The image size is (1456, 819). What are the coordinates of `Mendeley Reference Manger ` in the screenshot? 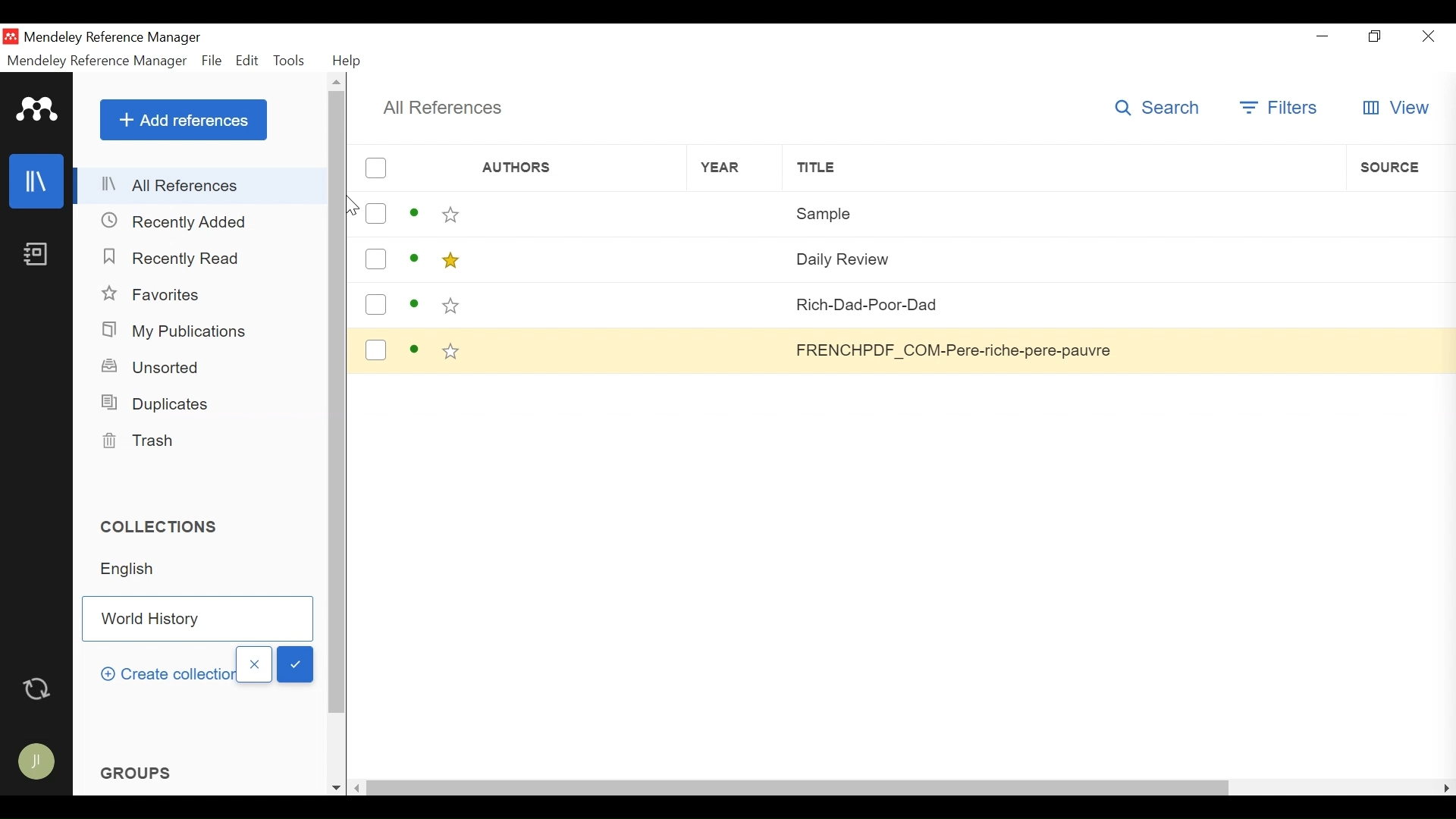 It's located at (97, 61).